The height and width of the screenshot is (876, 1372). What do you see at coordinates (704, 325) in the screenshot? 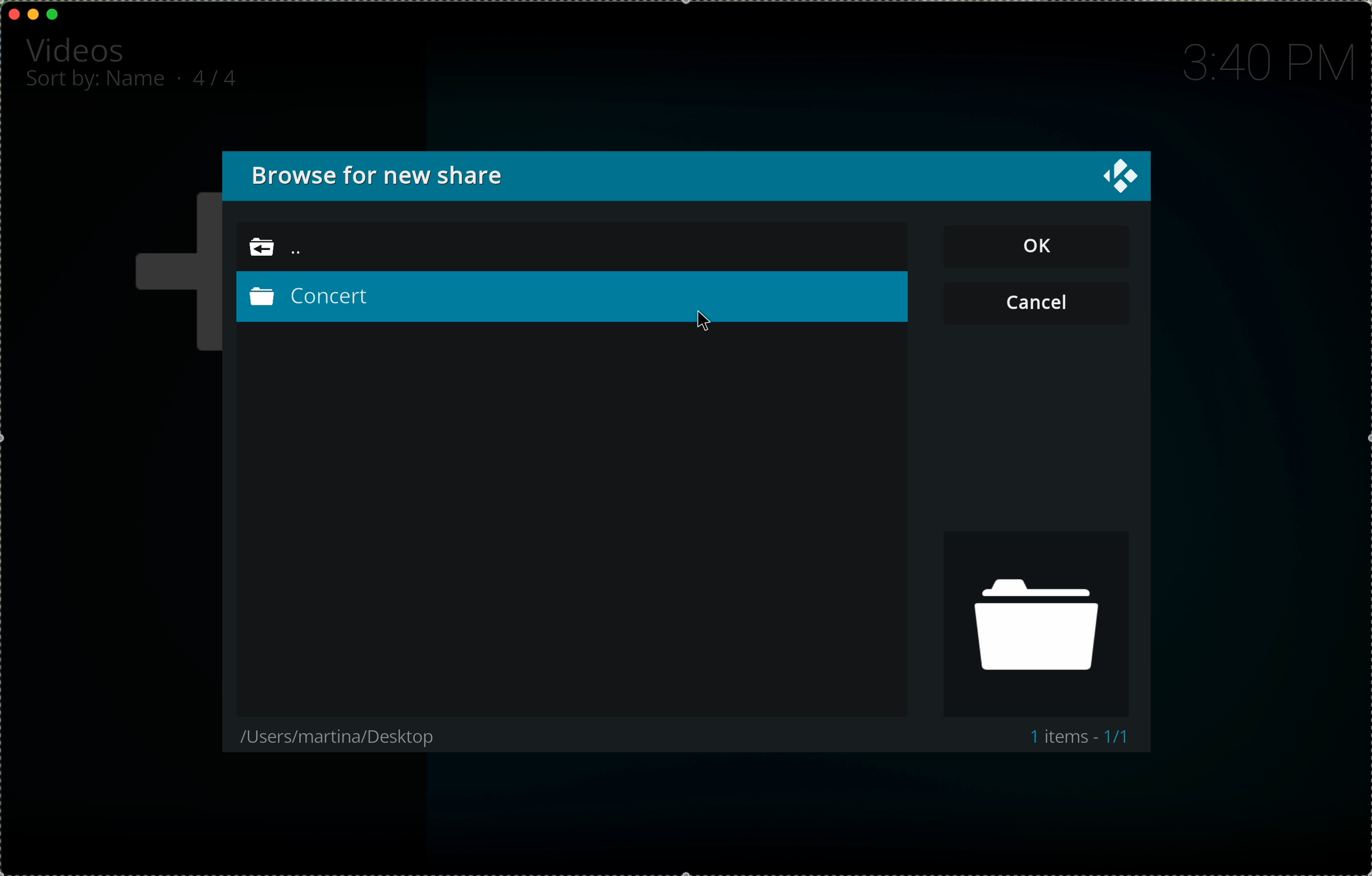
I see `cursor` at bounding box center [704, 325].